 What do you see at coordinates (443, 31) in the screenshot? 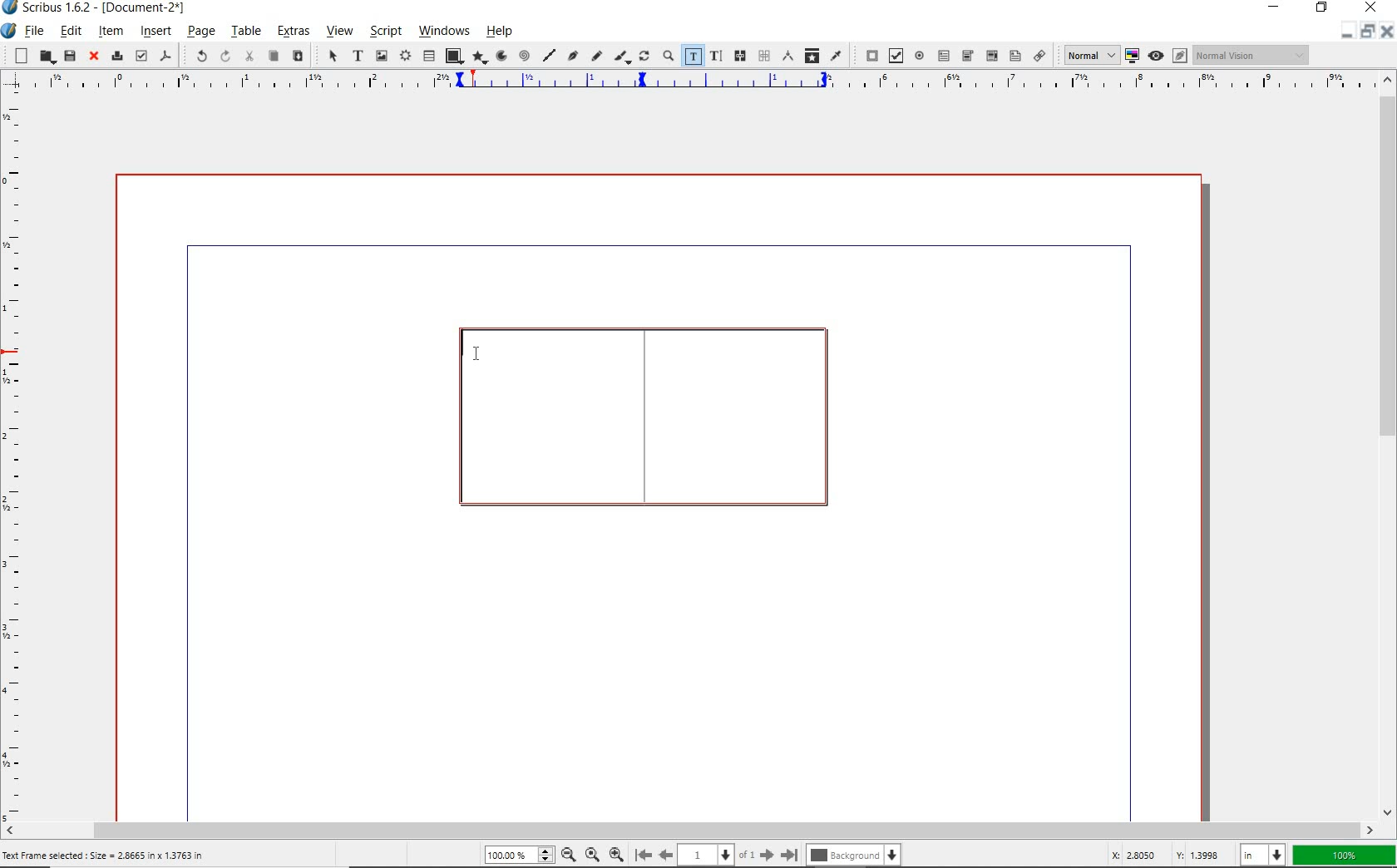
I see `windows` at bounding box center [443, 31].